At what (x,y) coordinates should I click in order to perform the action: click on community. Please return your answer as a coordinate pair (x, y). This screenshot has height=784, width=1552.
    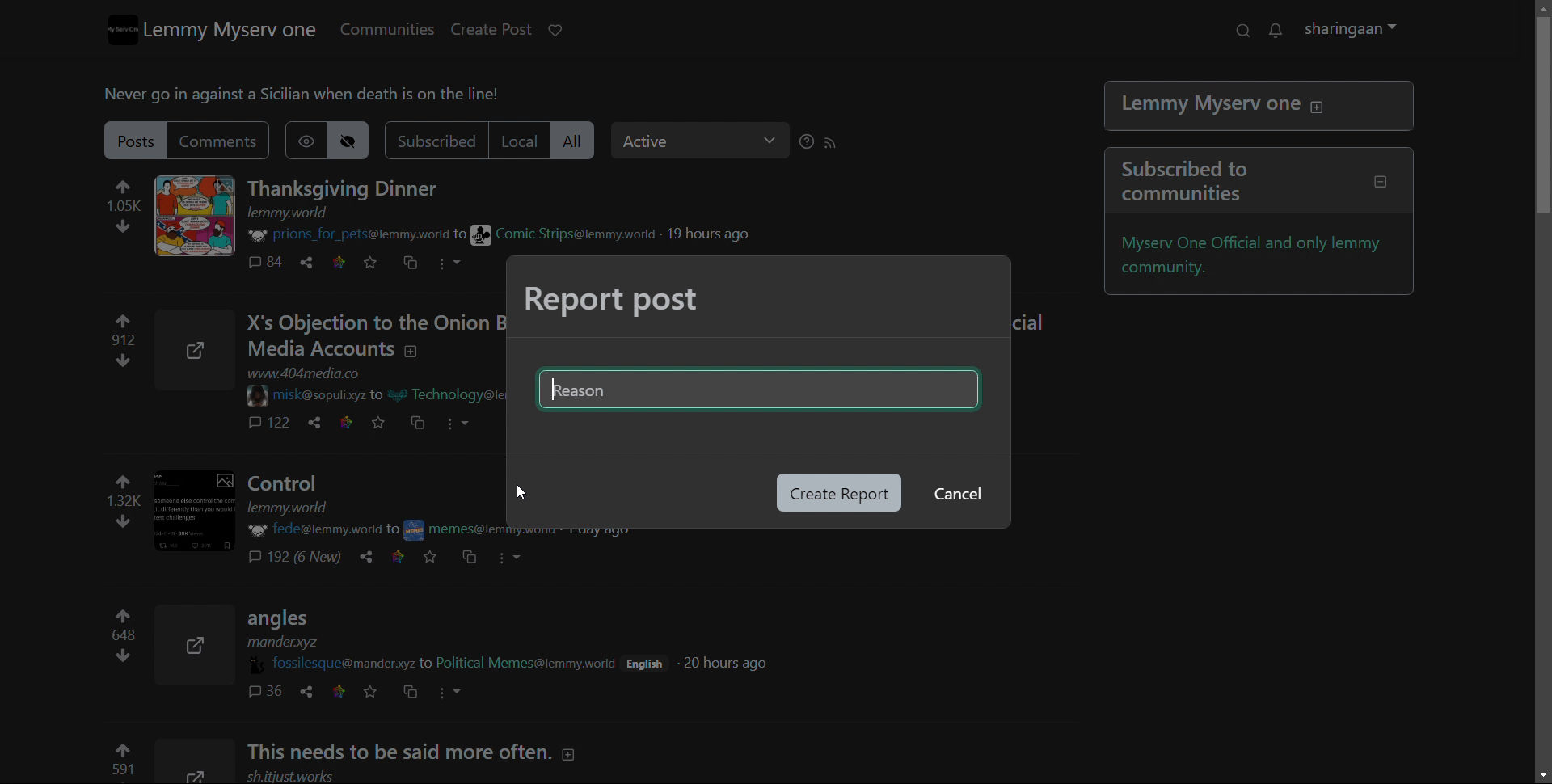
    Looking at the image, I should click on (458, 529).